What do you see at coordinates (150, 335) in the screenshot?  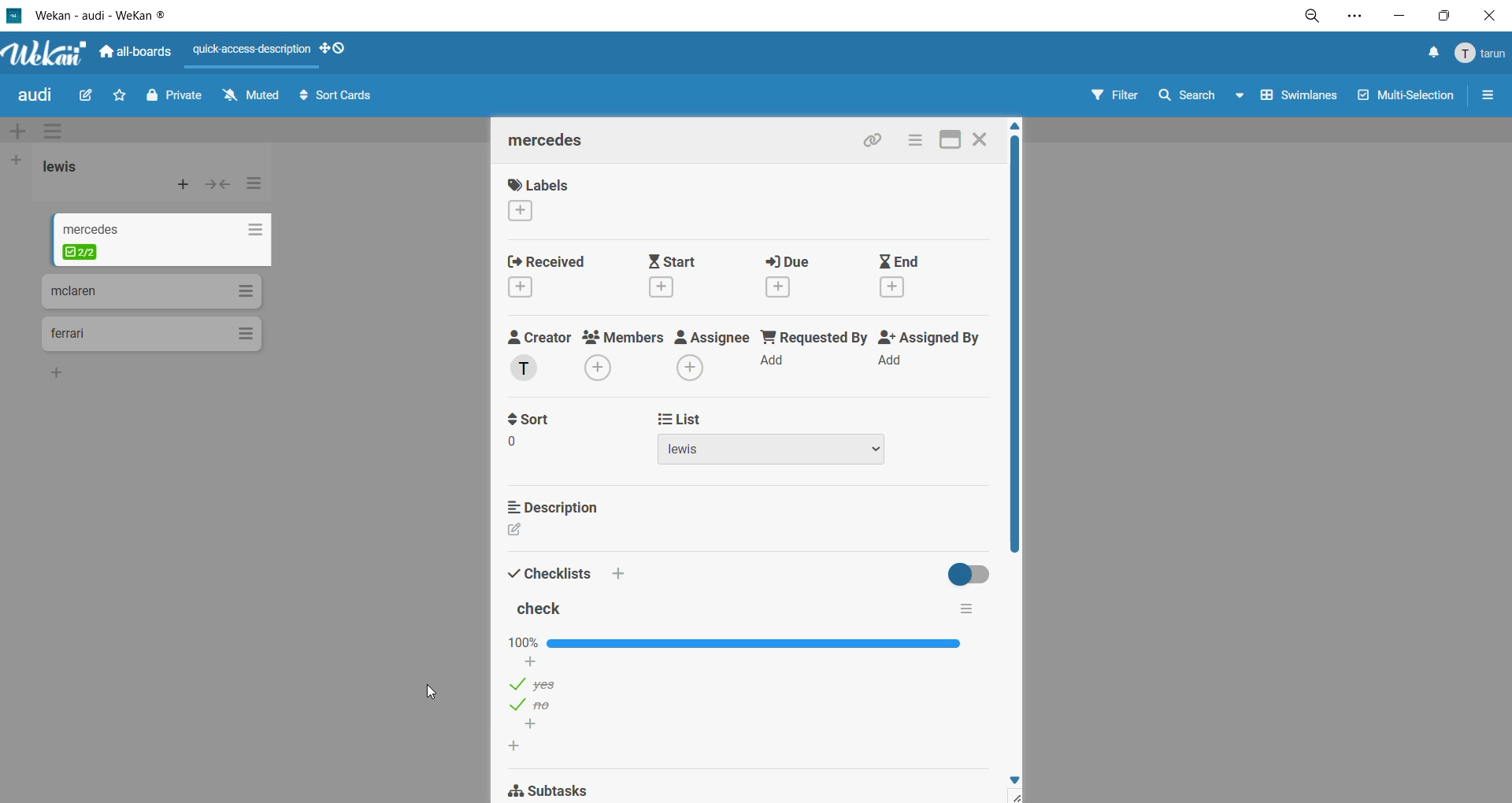 I see `cards` at bounding box center [150, 335].